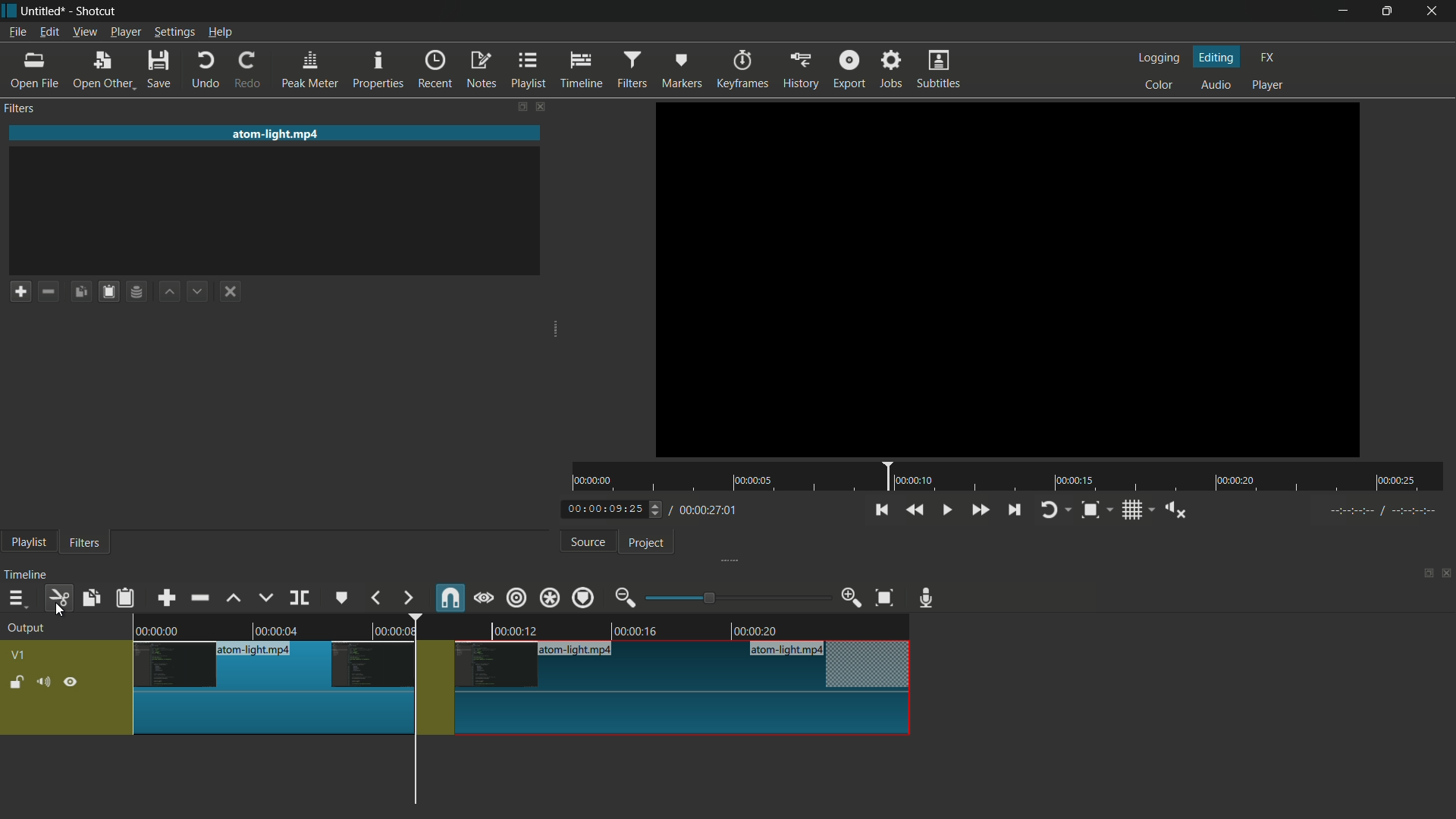 This screenshot has height=819, width=1456. I want to click on open other, so click(104, 71).